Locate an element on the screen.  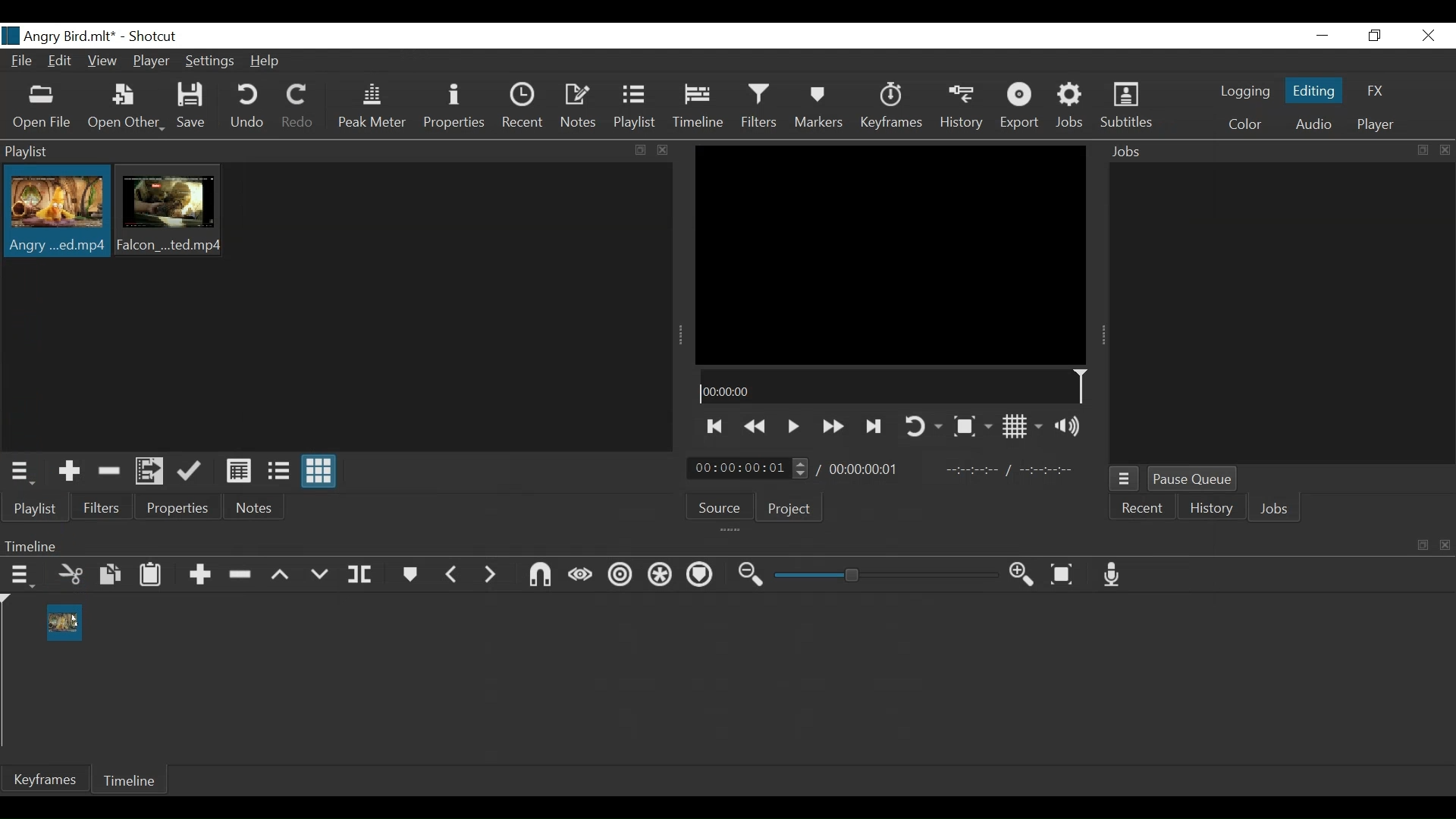
Keyframe is located at coordinates (893, 107).